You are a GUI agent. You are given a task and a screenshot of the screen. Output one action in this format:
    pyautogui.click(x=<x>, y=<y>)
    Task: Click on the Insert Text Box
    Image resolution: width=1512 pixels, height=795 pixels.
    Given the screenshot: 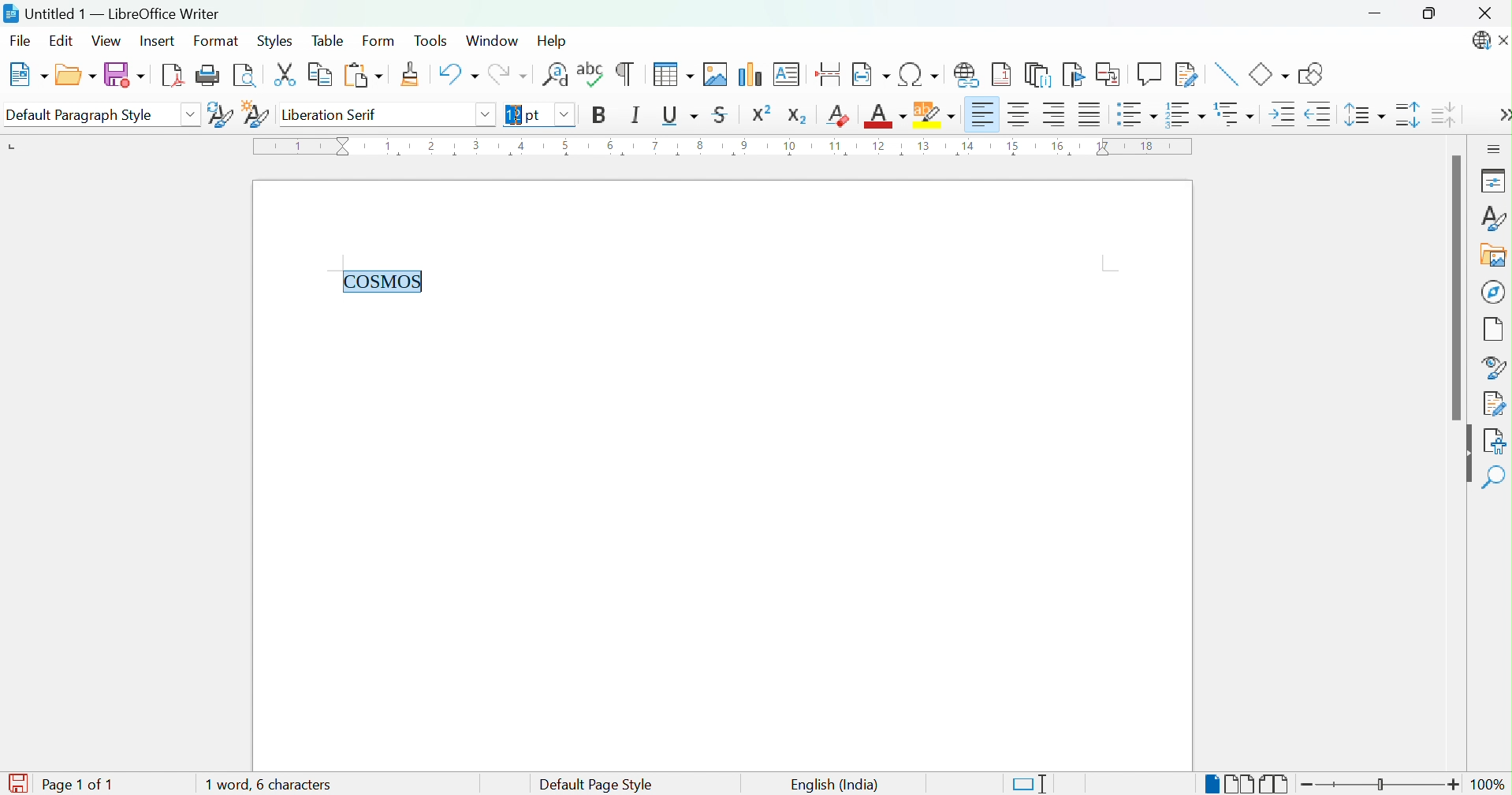 What is the action you would take?
    pyautogui.click(x=788, y=72)
    